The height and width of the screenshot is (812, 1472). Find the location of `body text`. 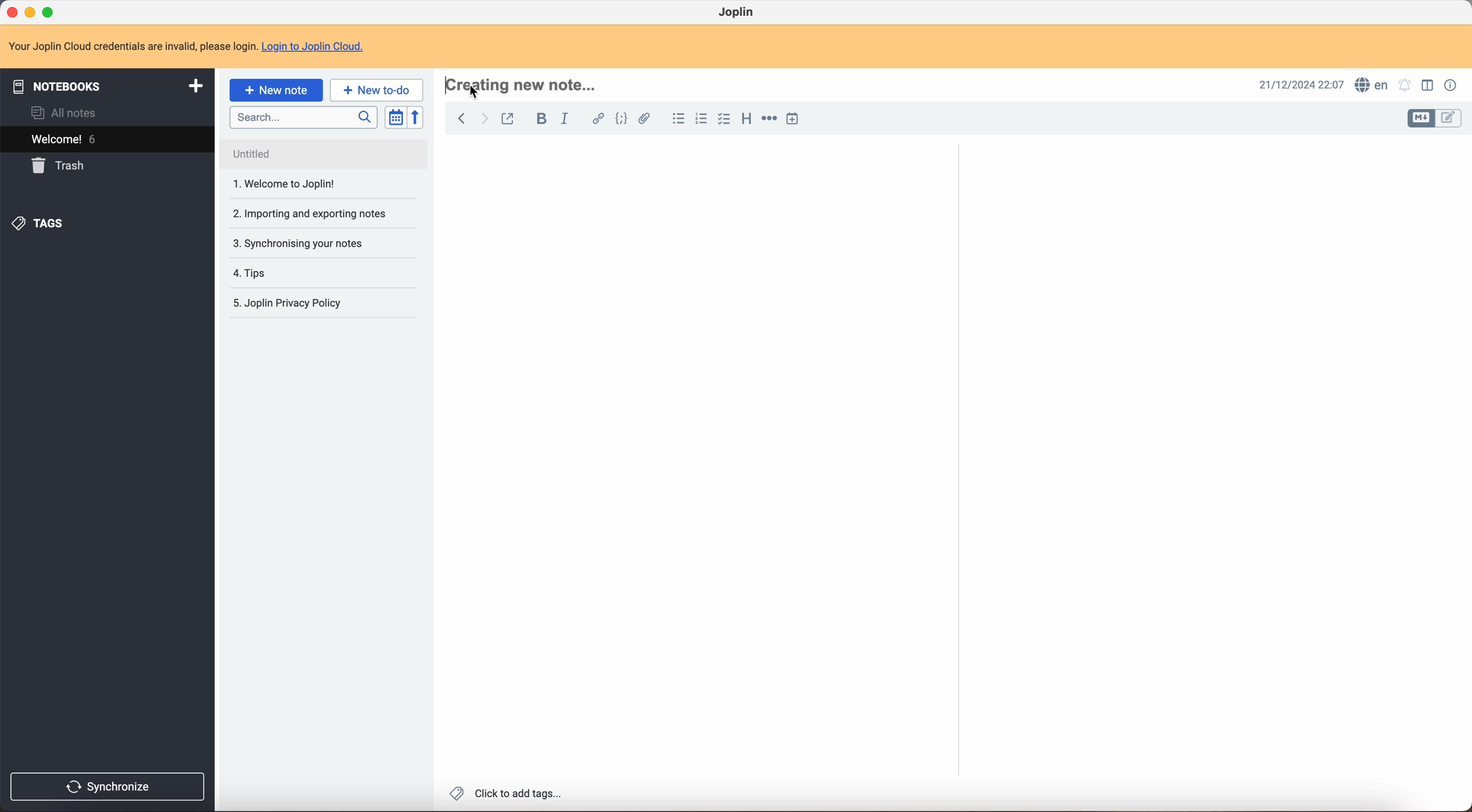

body text is located at coordinates (690, 461).